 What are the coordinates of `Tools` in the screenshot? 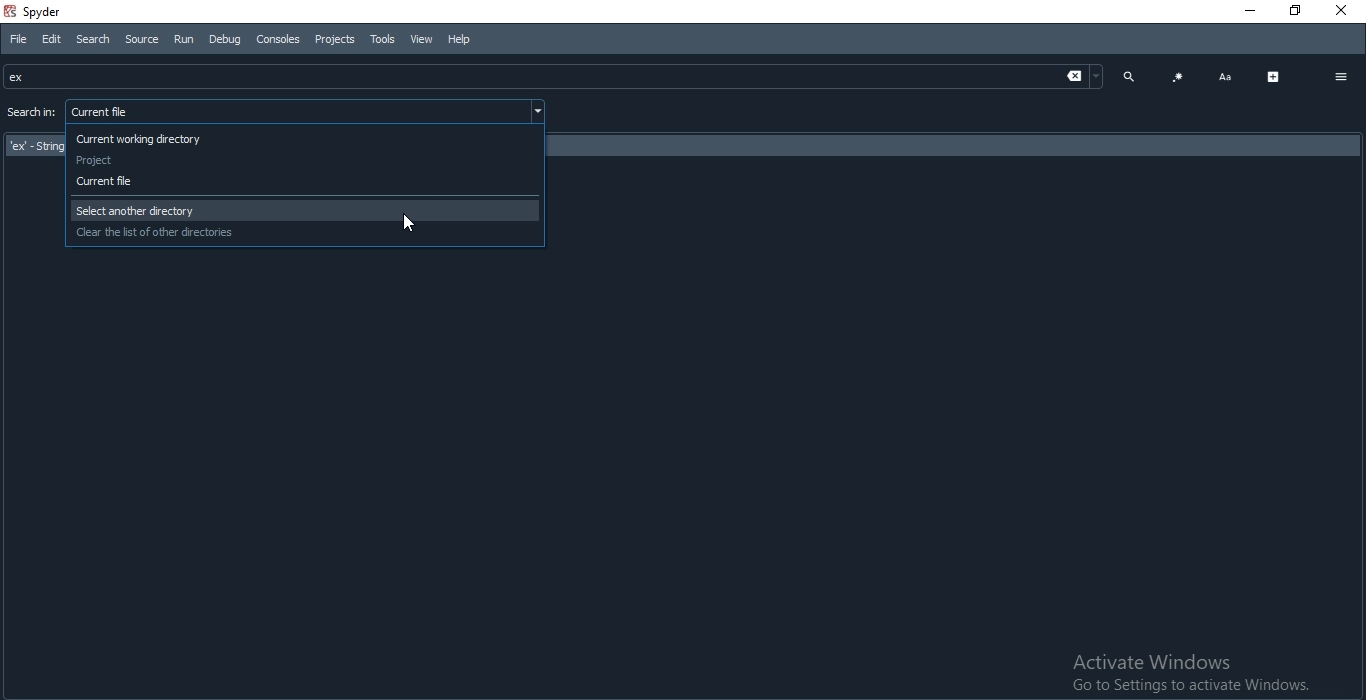 It's located at (383, 40).